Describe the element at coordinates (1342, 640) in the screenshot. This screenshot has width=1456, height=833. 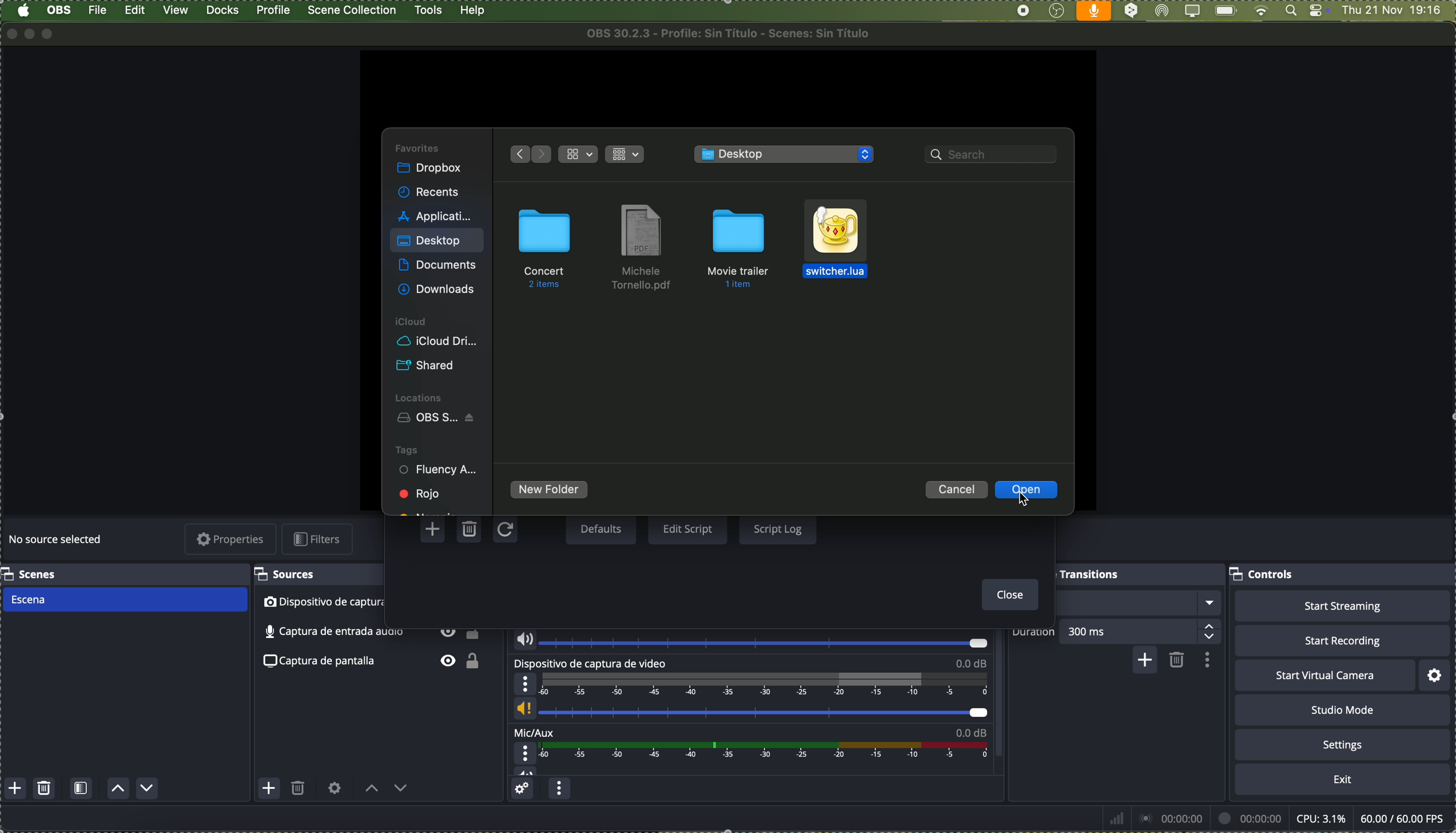
I see `start recording` at that location.